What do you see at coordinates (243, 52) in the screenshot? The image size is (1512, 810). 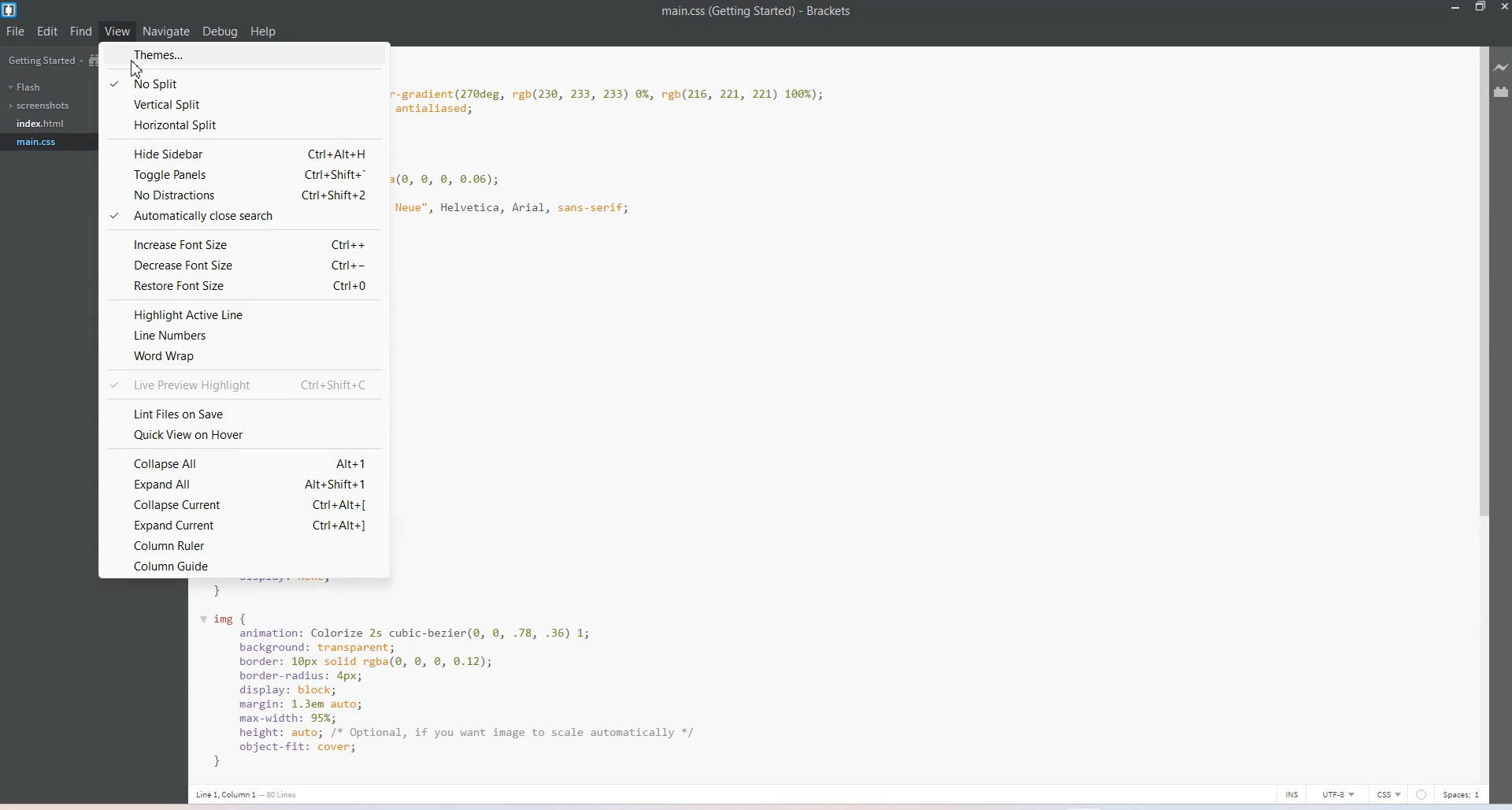 I see `Themes` at bounding box center [243, 52].